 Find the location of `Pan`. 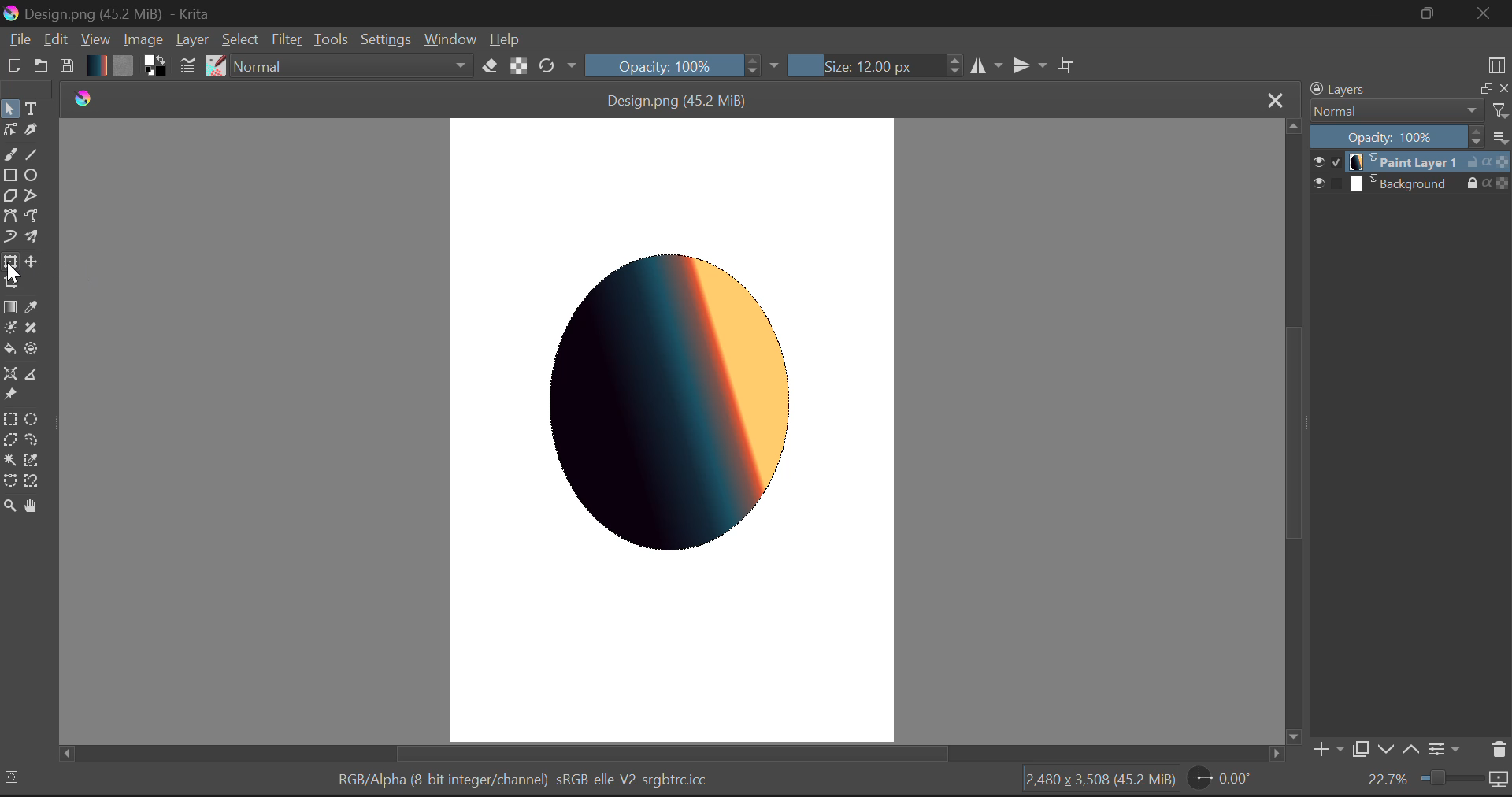

Pan is located at coordinates (33, 508).